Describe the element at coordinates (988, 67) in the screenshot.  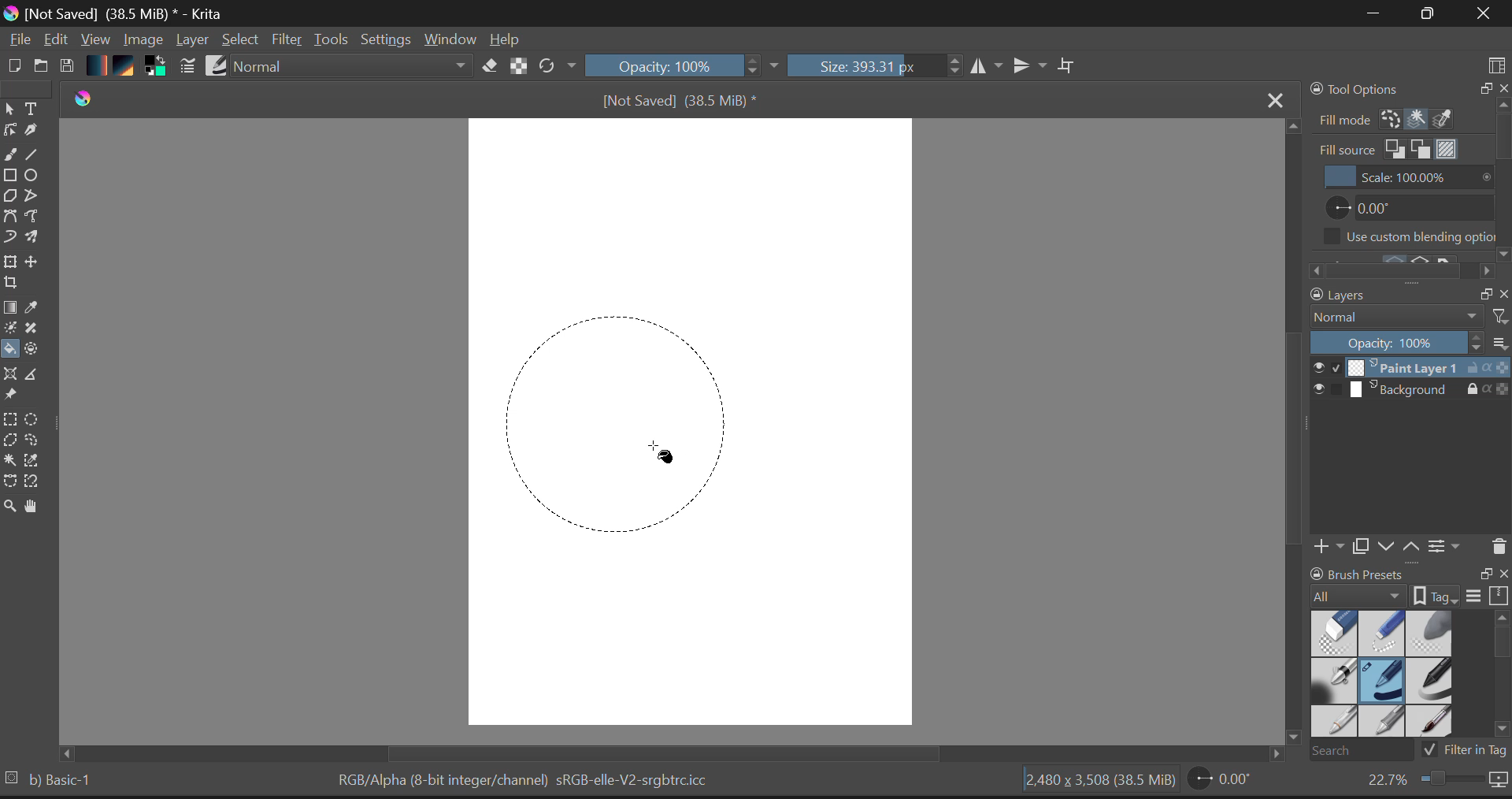
I see `Vertical Mirror Flip` at that location.